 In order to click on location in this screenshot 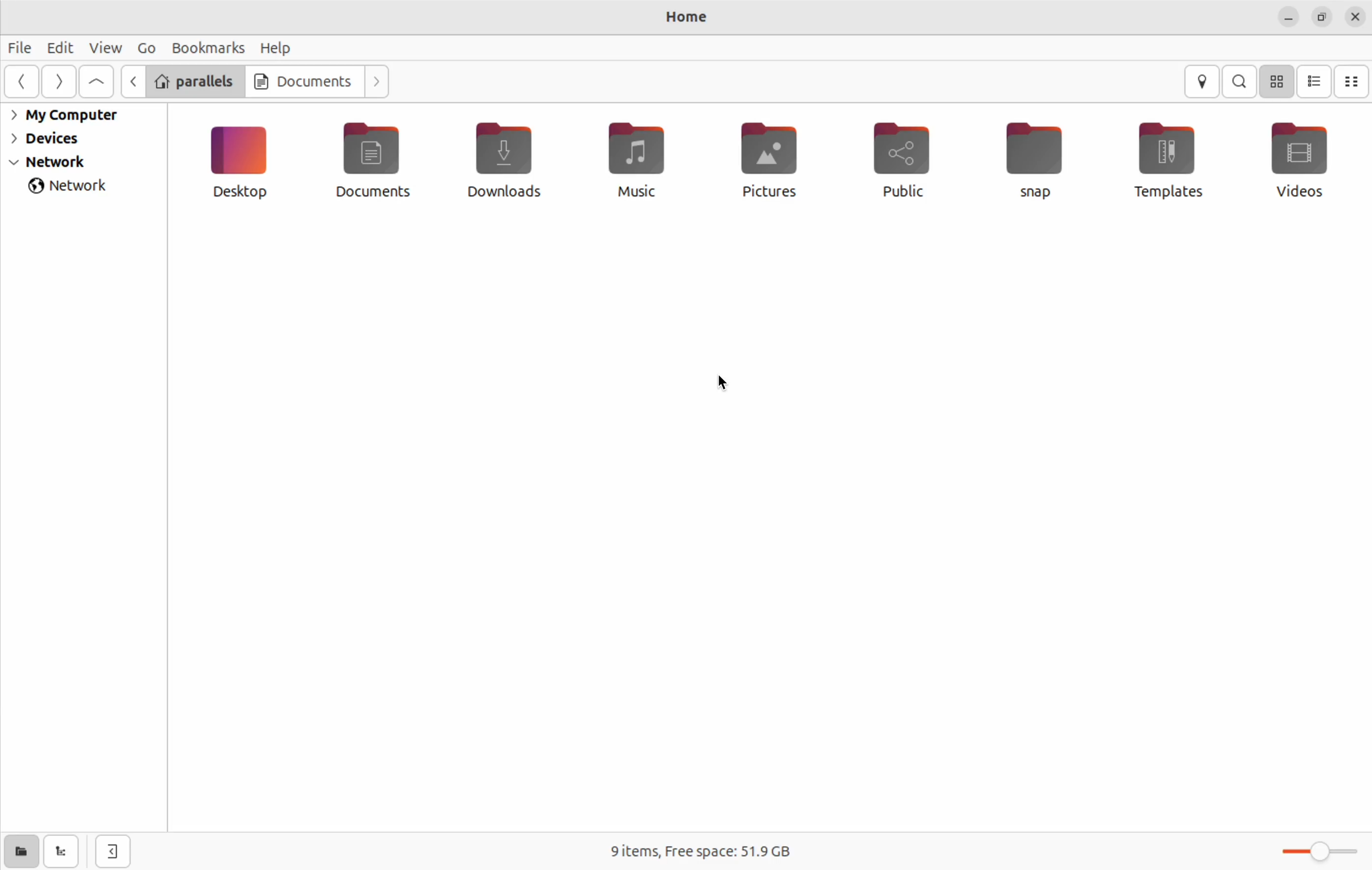, I will do `click(1202, 82)`.